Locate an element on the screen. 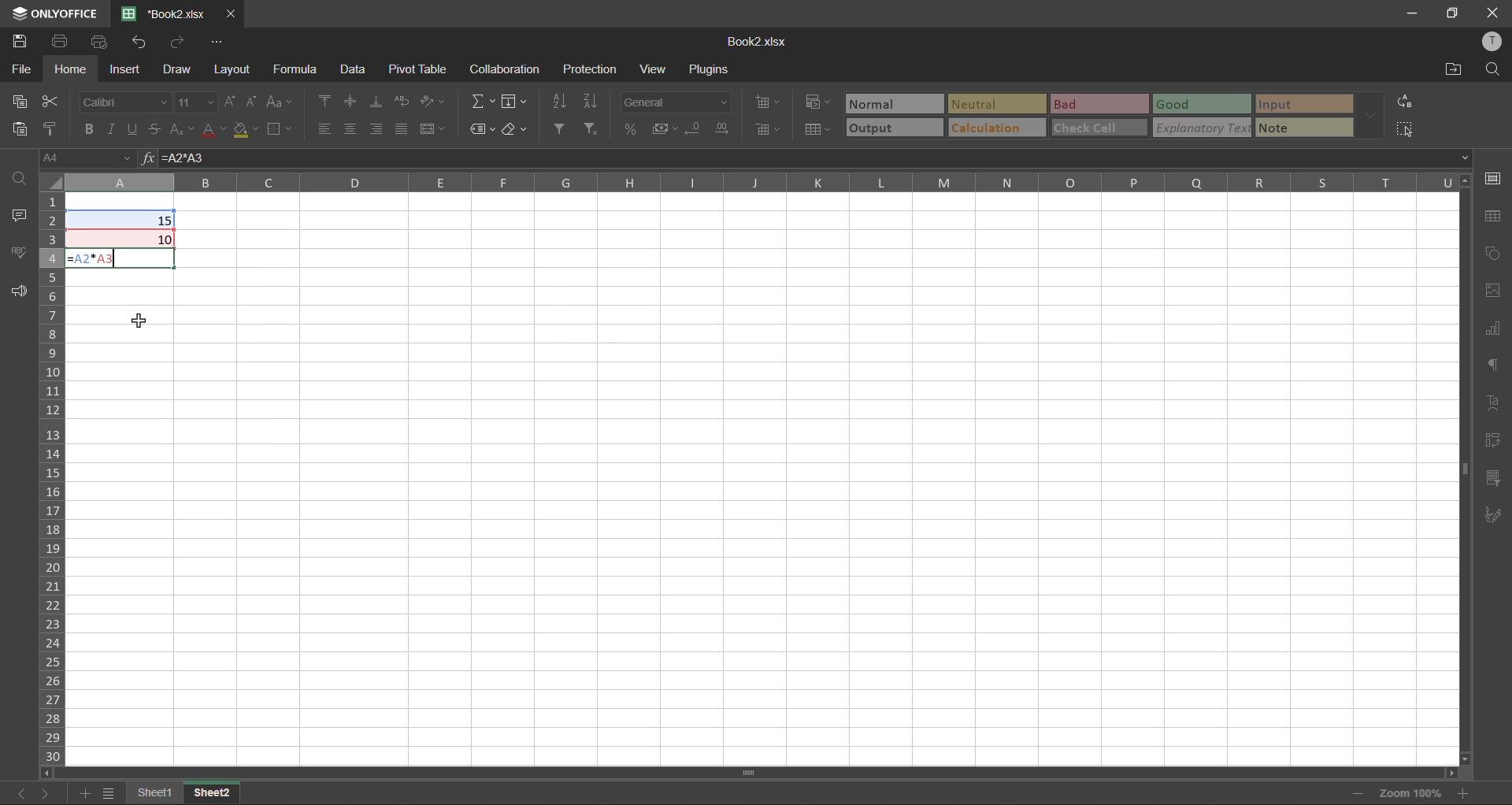 This screenshot has height=805, width=1512. align center is located at coordinates (352, 129).